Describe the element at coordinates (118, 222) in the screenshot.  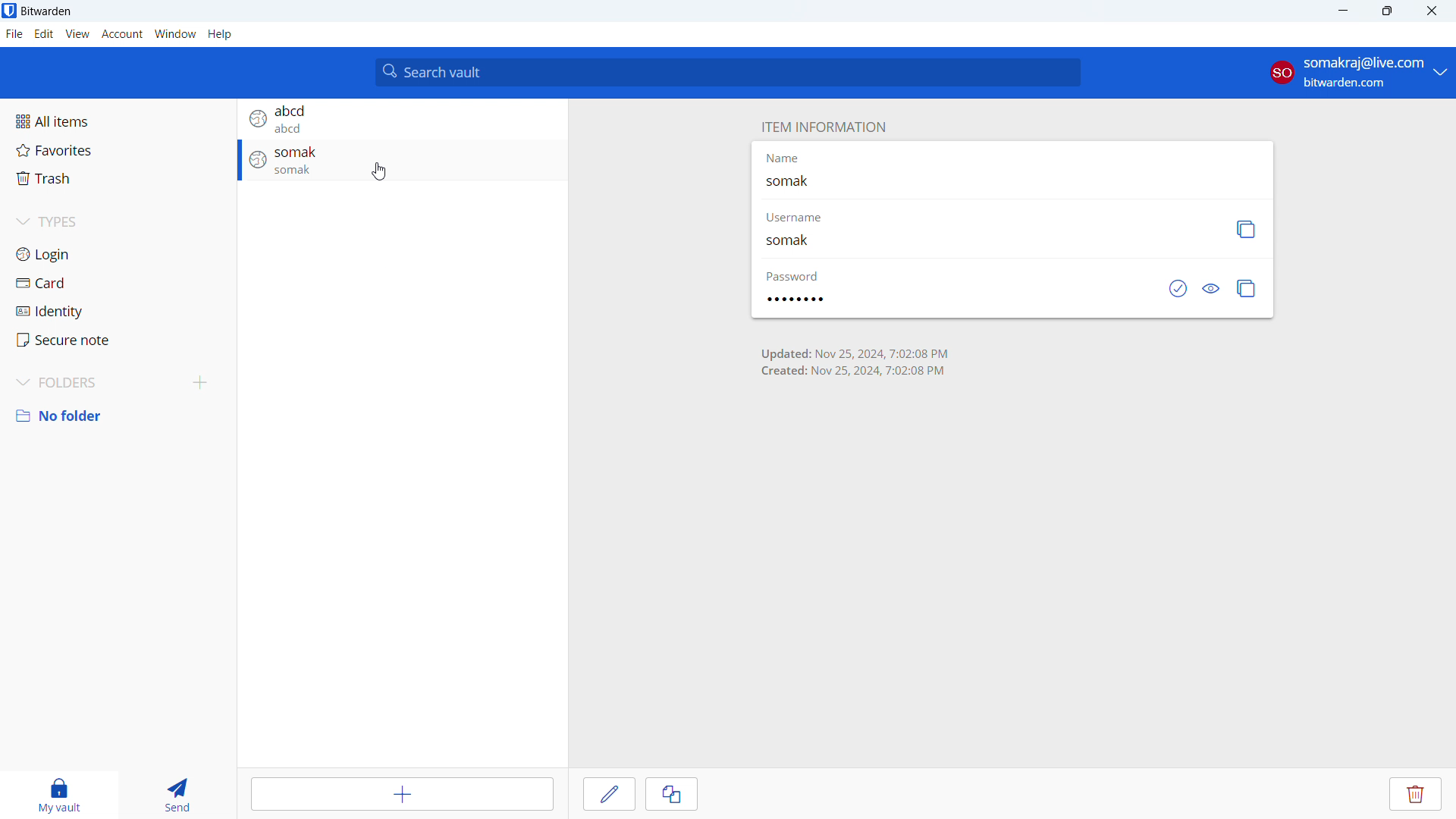
I see `types` at that location.